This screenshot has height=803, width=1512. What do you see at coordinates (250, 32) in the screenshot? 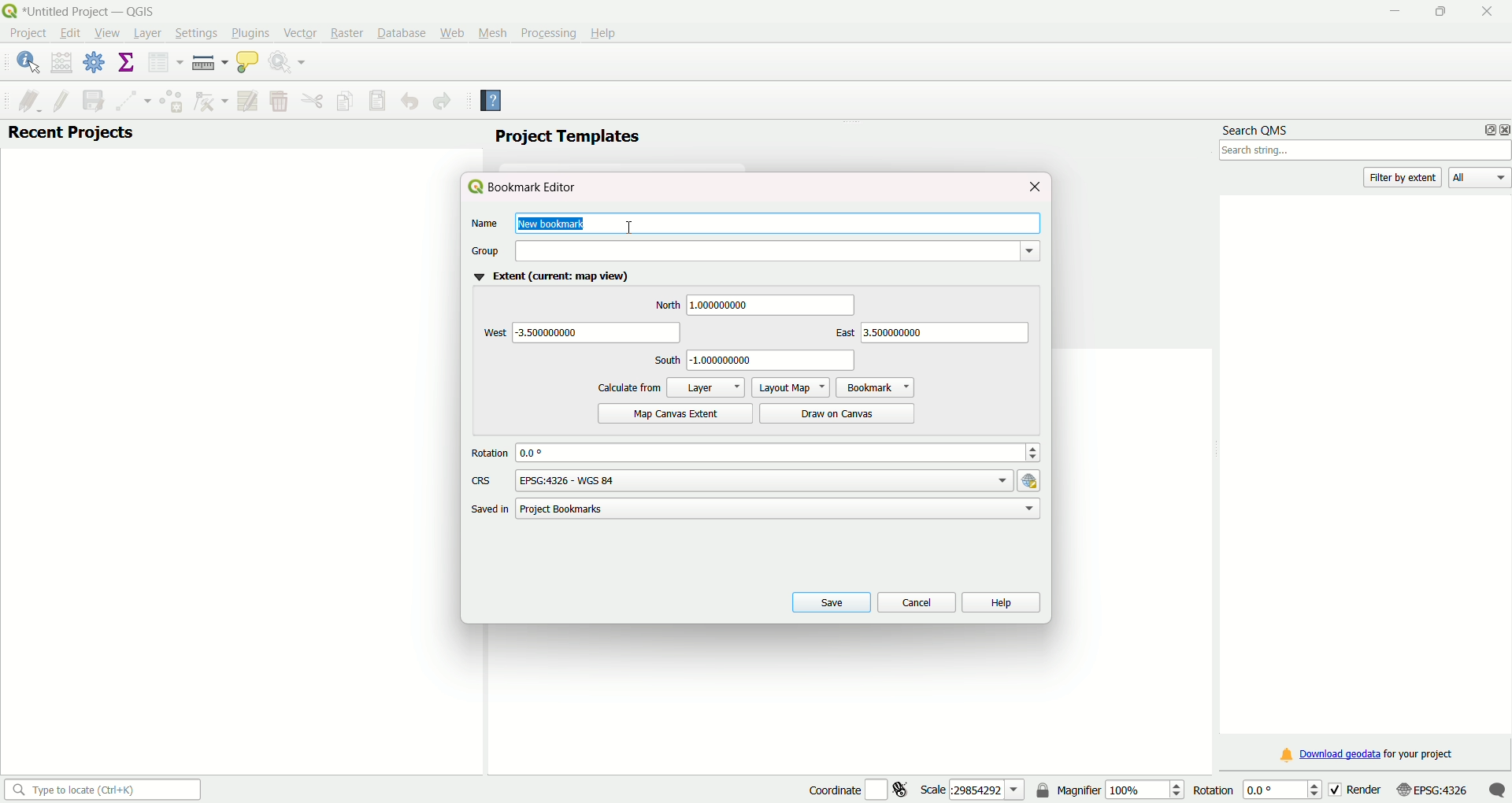
I see `Plugins` at bounding box center [250, 32].